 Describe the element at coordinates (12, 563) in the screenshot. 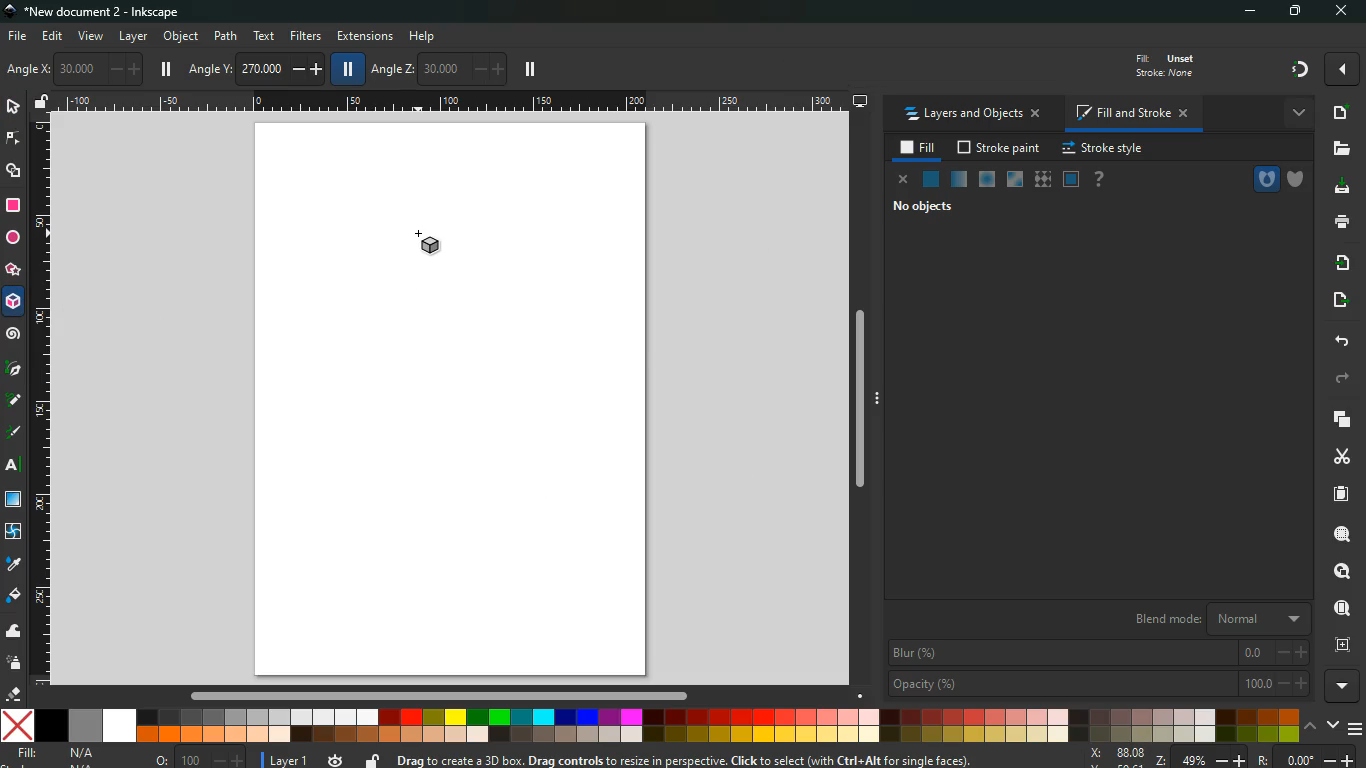

I see `drop` at that location.